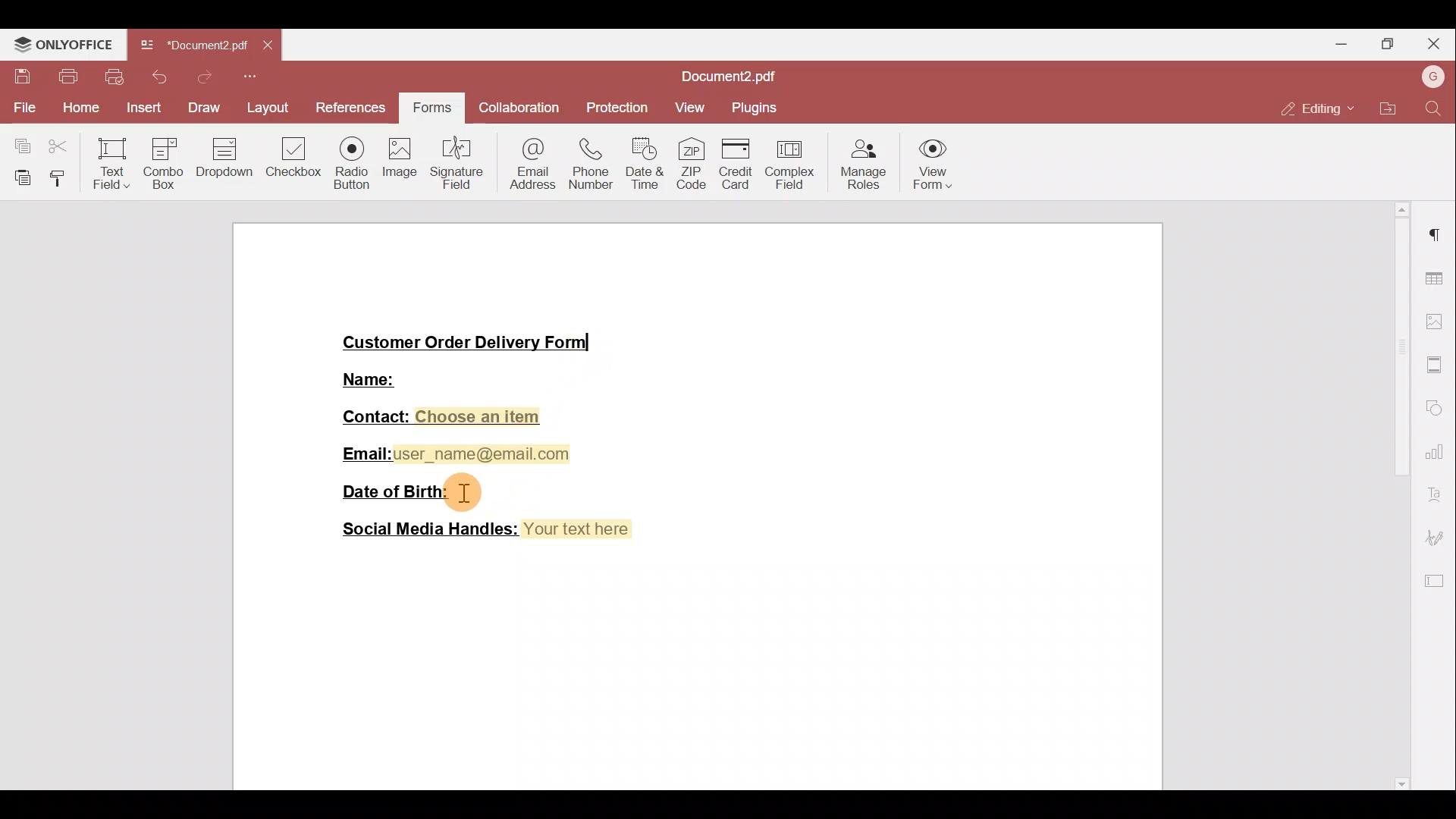 This screenshot has height=819, width=1456. Describe the element at coordinates (193, 45) in the screenshot. I see `Document2.pdf` at that location.